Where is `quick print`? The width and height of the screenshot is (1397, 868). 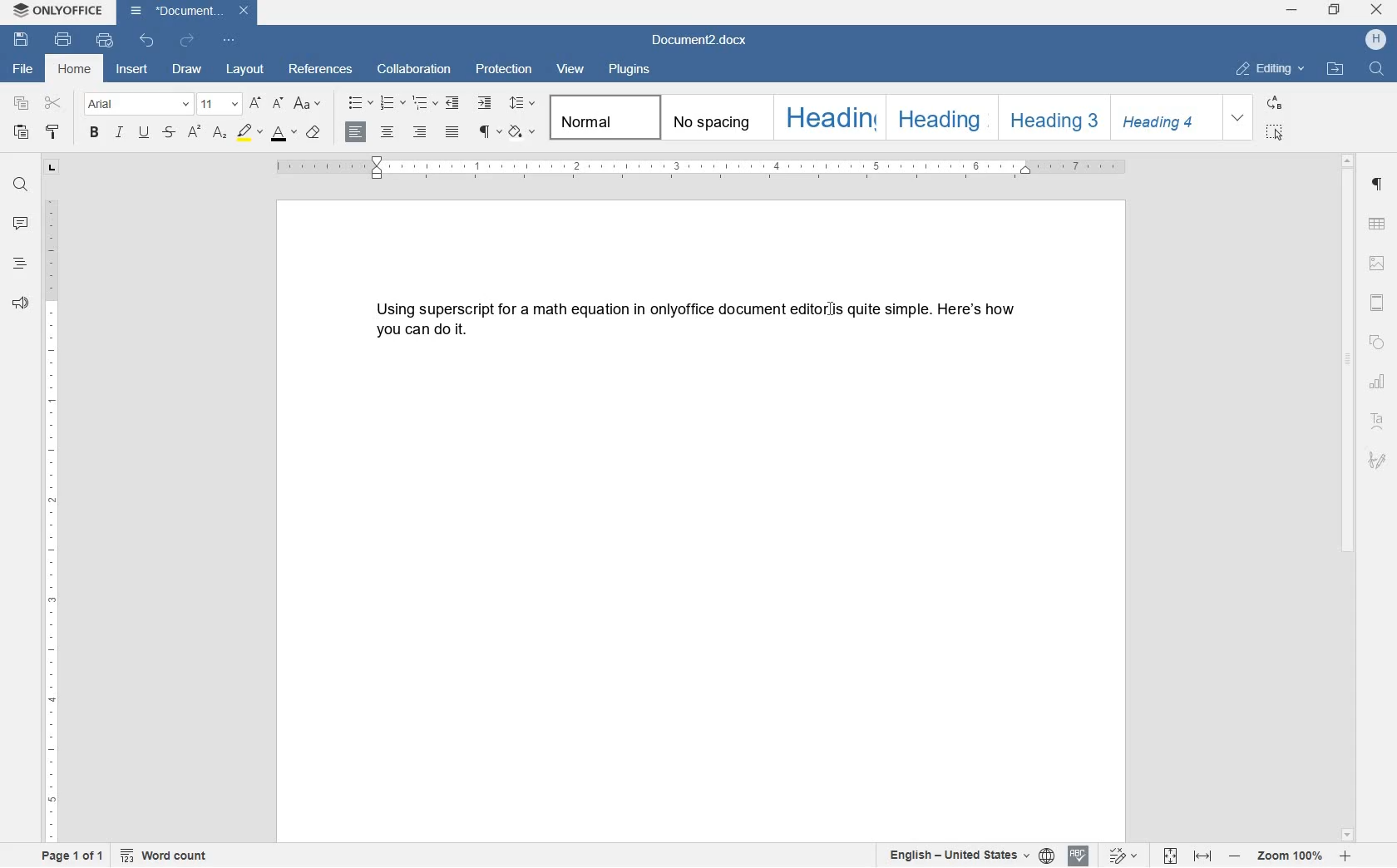 quick print is located at coordinates (103, 40).